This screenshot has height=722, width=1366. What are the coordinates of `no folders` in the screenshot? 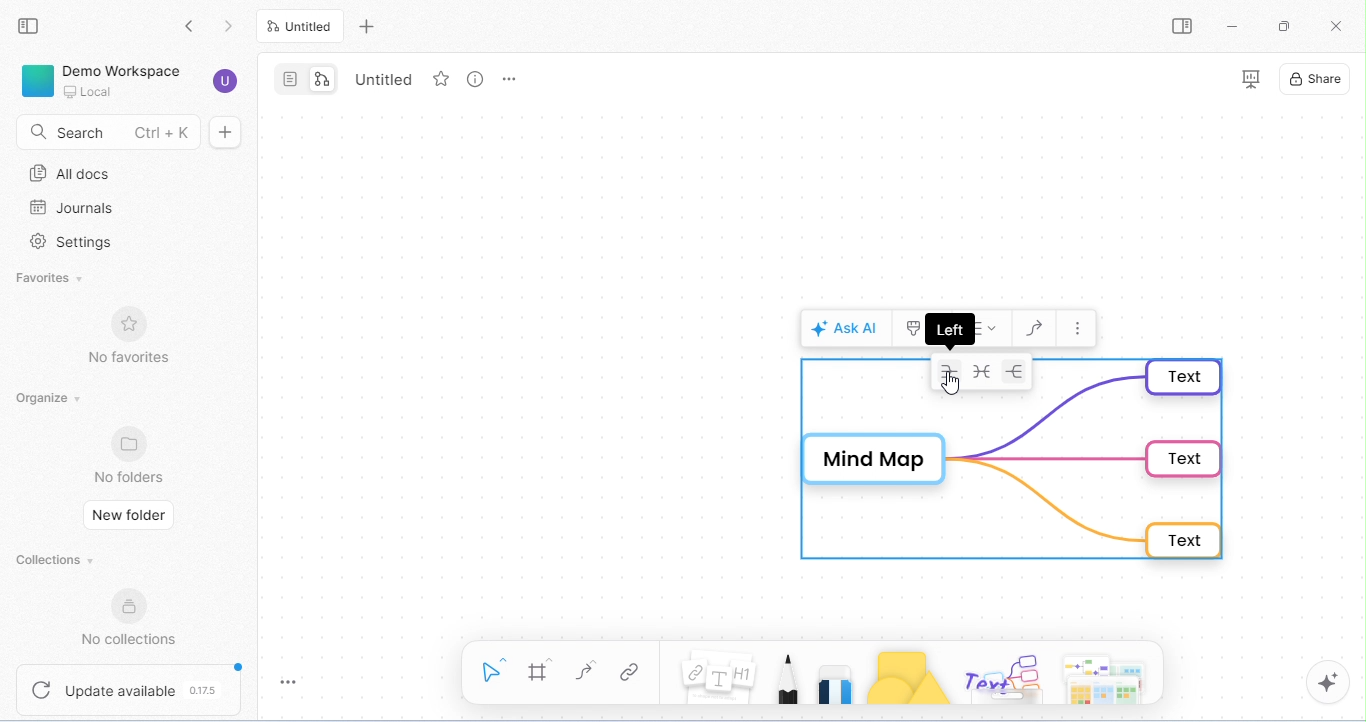 It's located at (132, 454).